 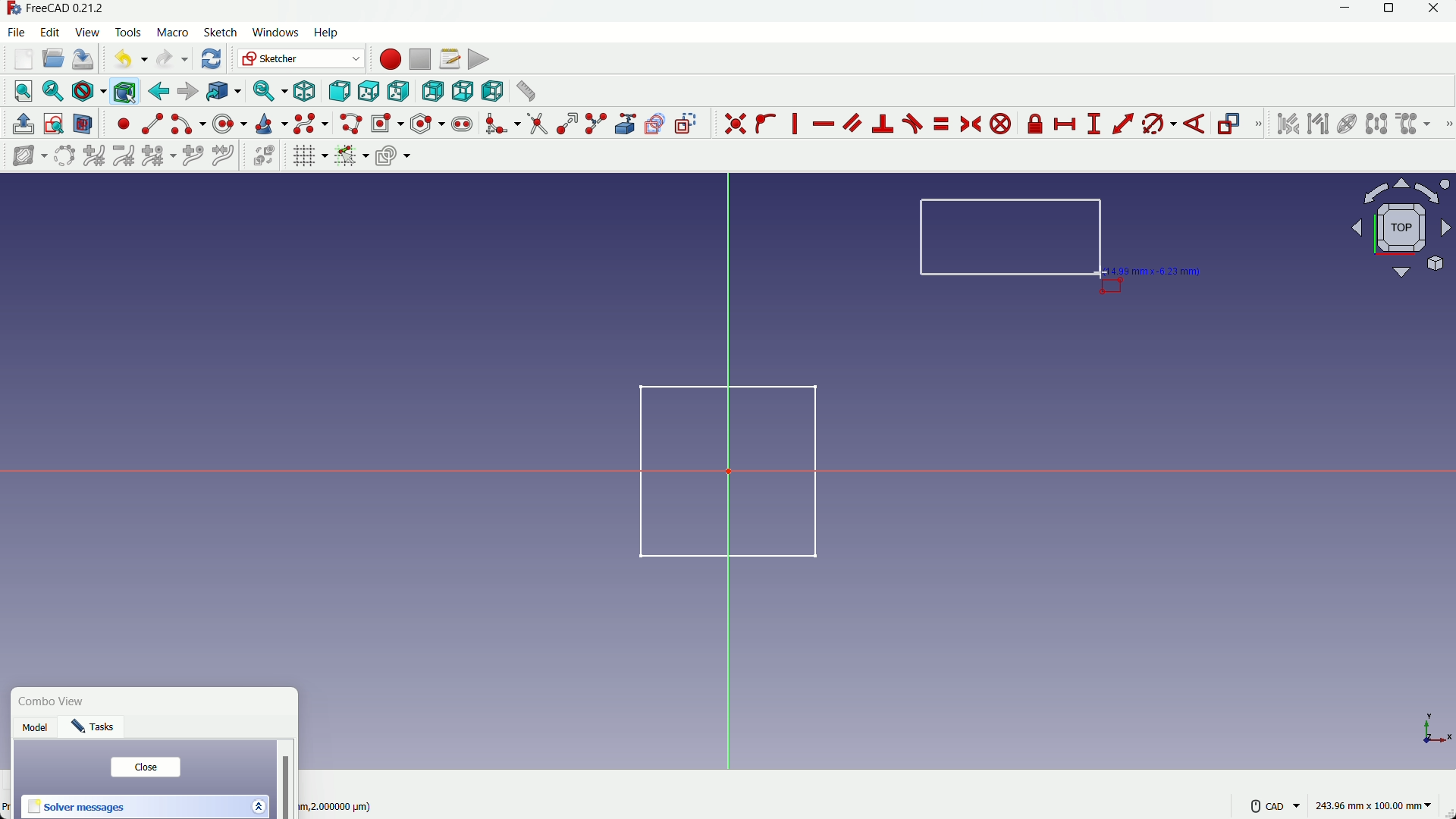 I want to click on (14.99mm x -6.23mm), so click(x=1159, y=270).